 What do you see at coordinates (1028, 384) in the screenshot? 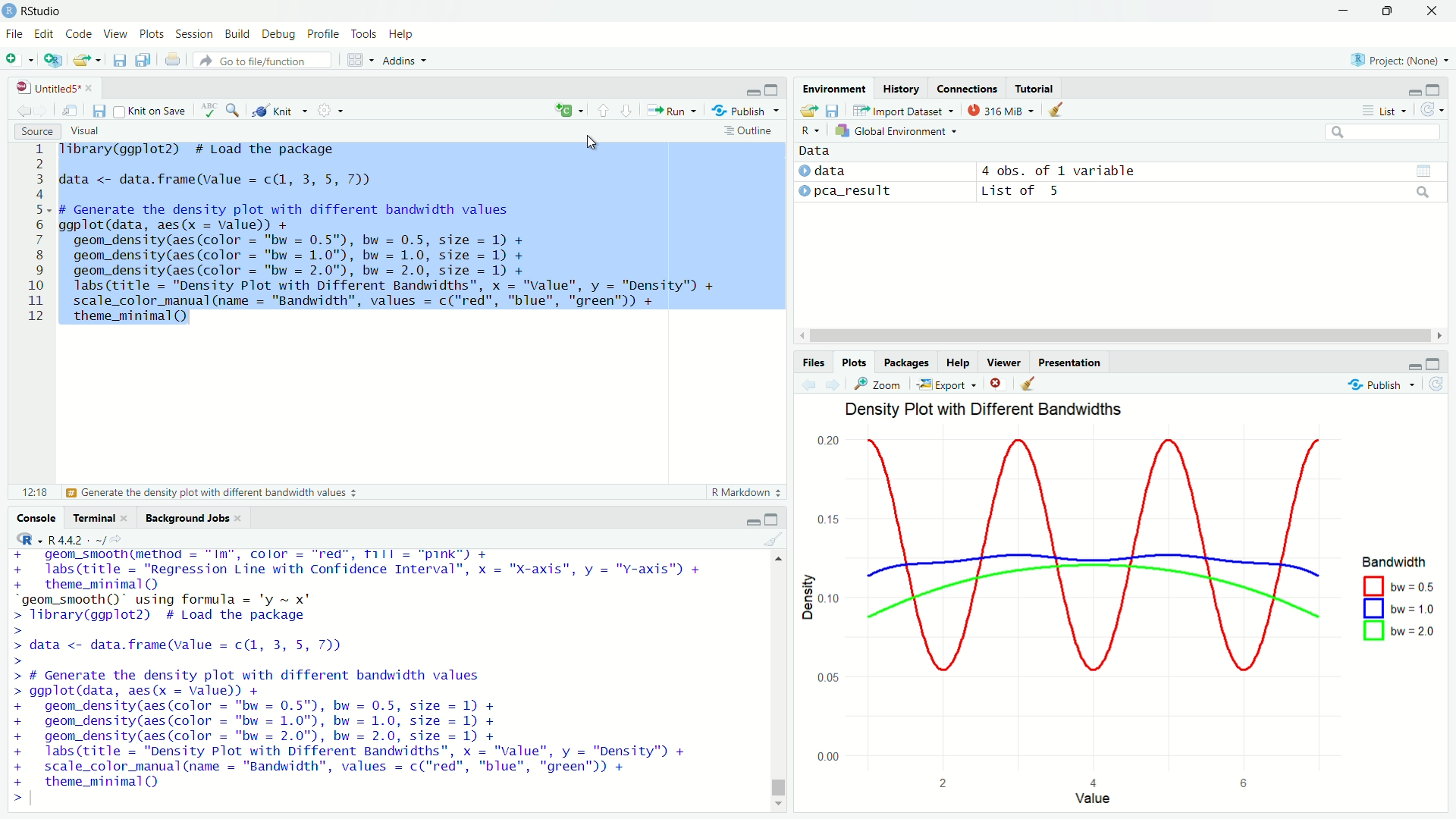
I see `Clear all plots` at bounding box center [1028, 384].